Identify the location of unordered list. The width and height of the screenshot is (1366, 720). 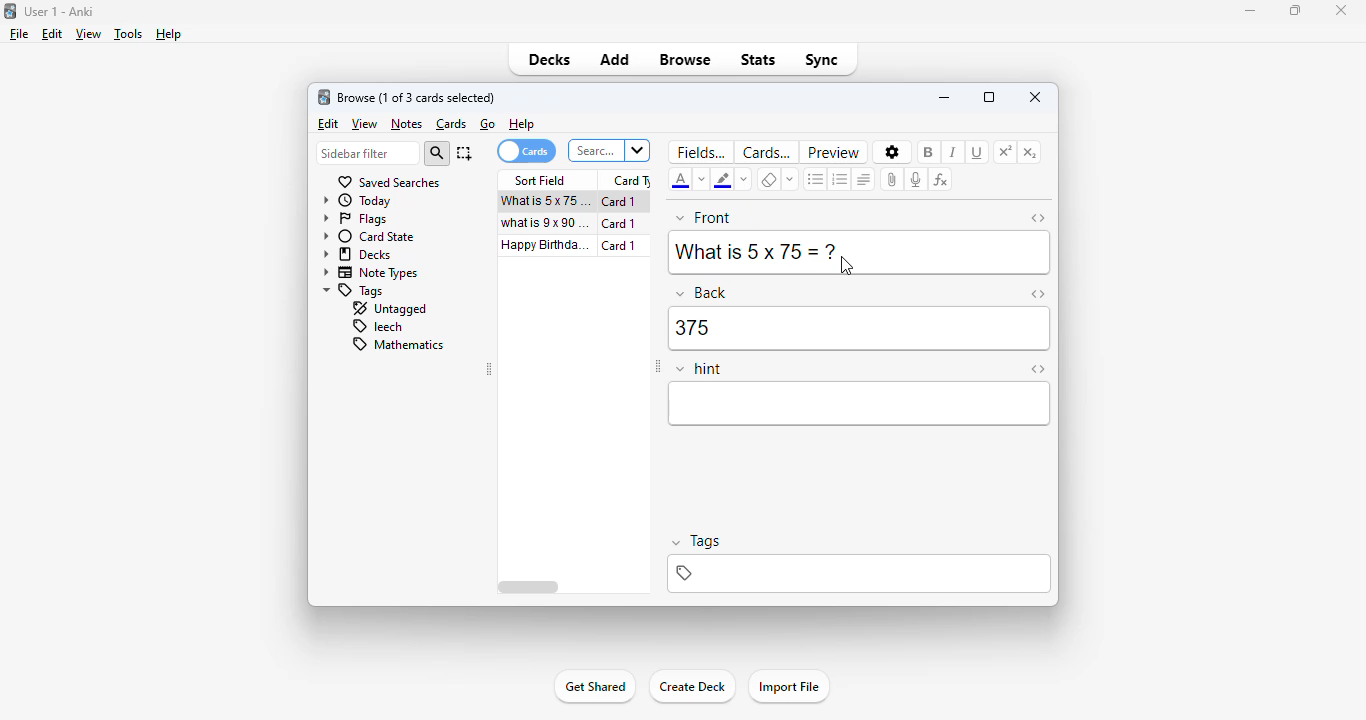
(815, 179).